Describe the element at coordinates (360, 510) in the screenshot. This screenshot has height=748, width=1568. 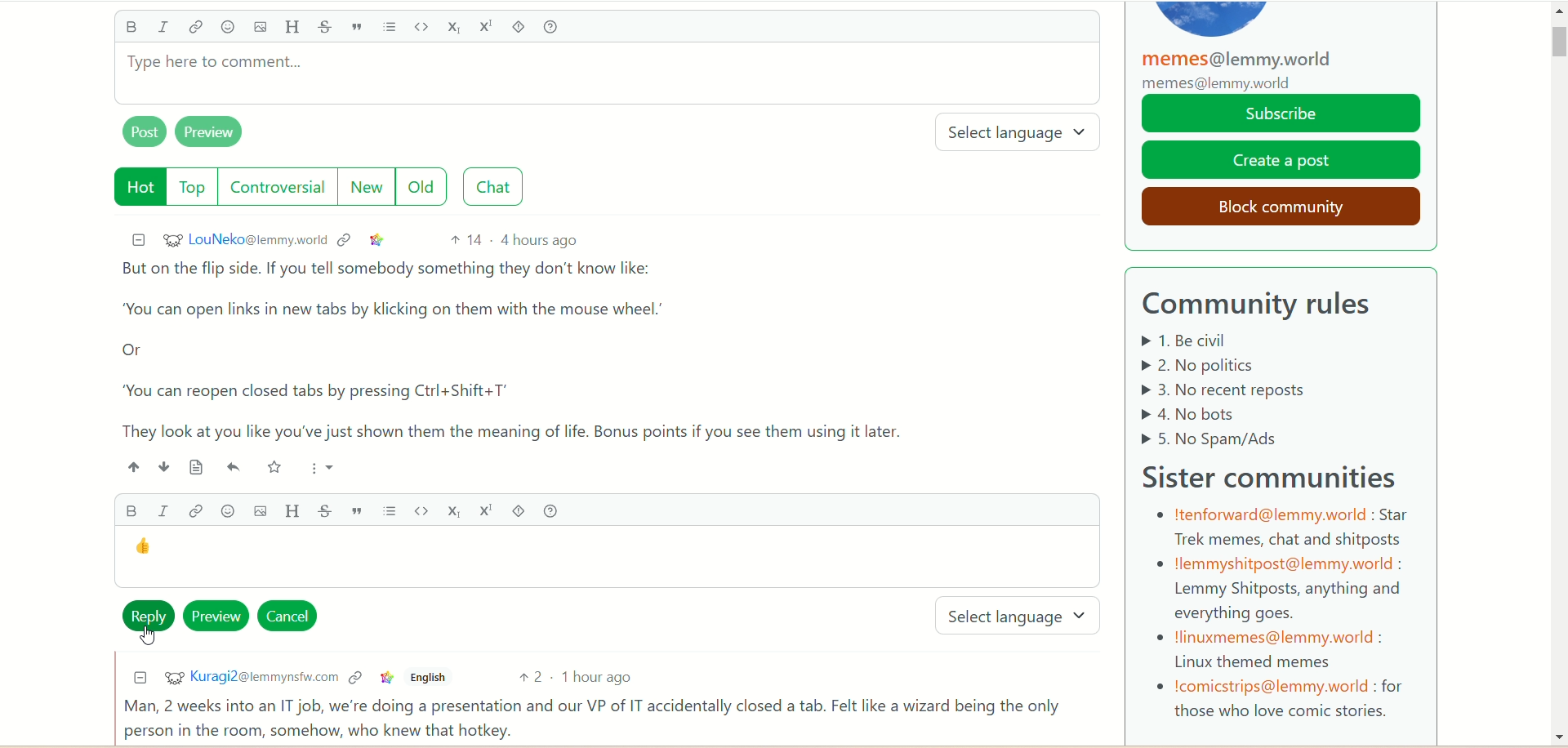
I see `quote` at that location.